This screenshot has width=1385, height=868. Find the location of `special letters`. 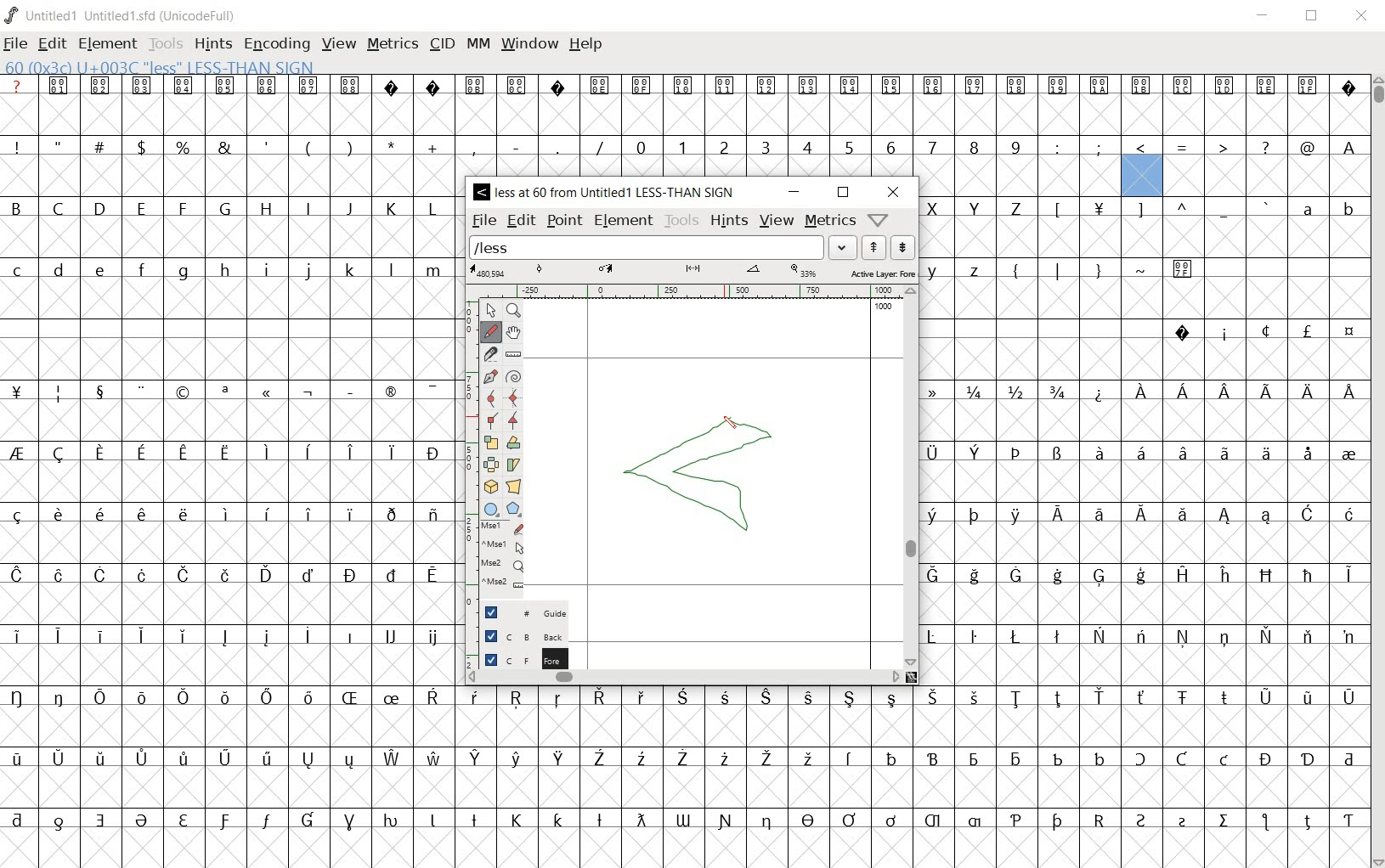

special letters is located at coordinates (231, 575).